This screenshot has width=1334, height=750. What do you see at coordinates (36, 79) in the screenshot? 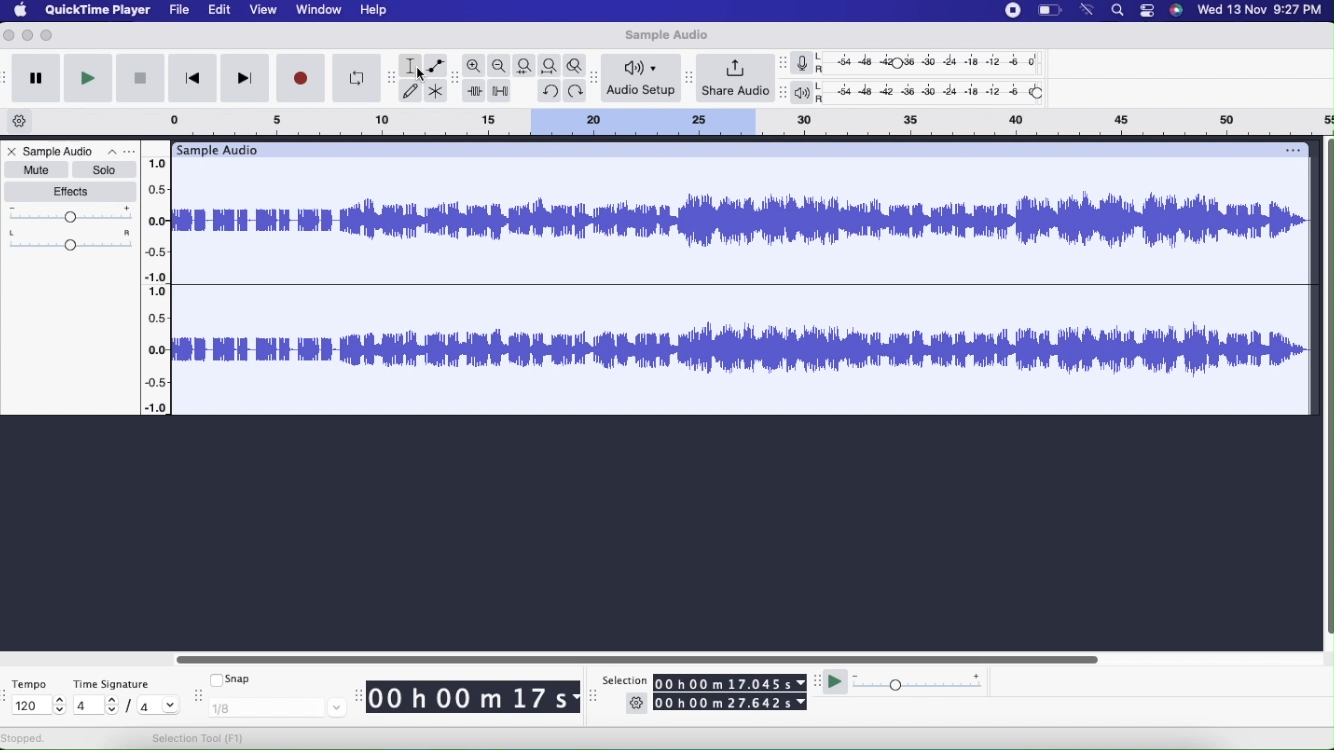
I see `Pause` at bounding box center [36, 79].